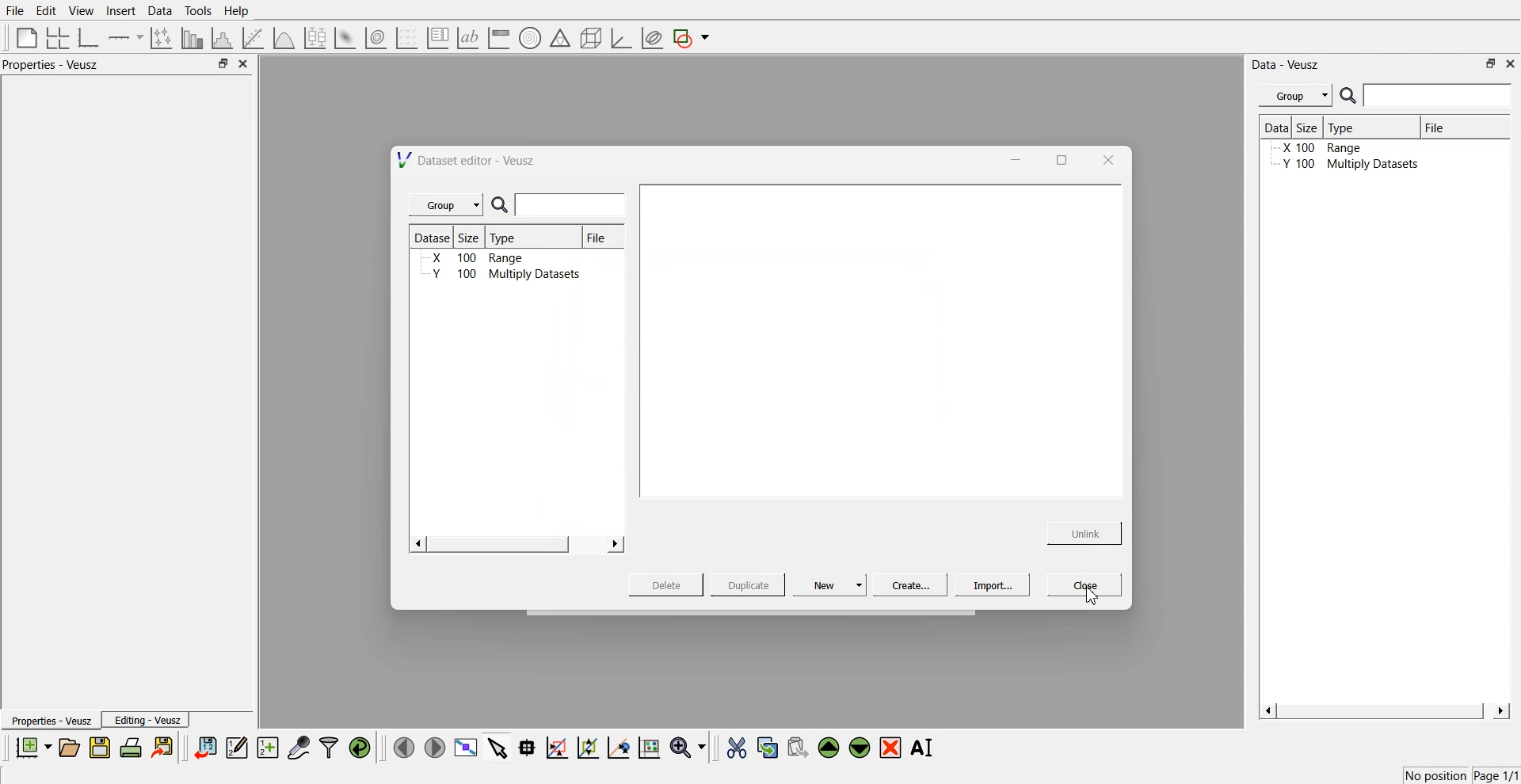  I want to click on fit a function, so click(254, 36).